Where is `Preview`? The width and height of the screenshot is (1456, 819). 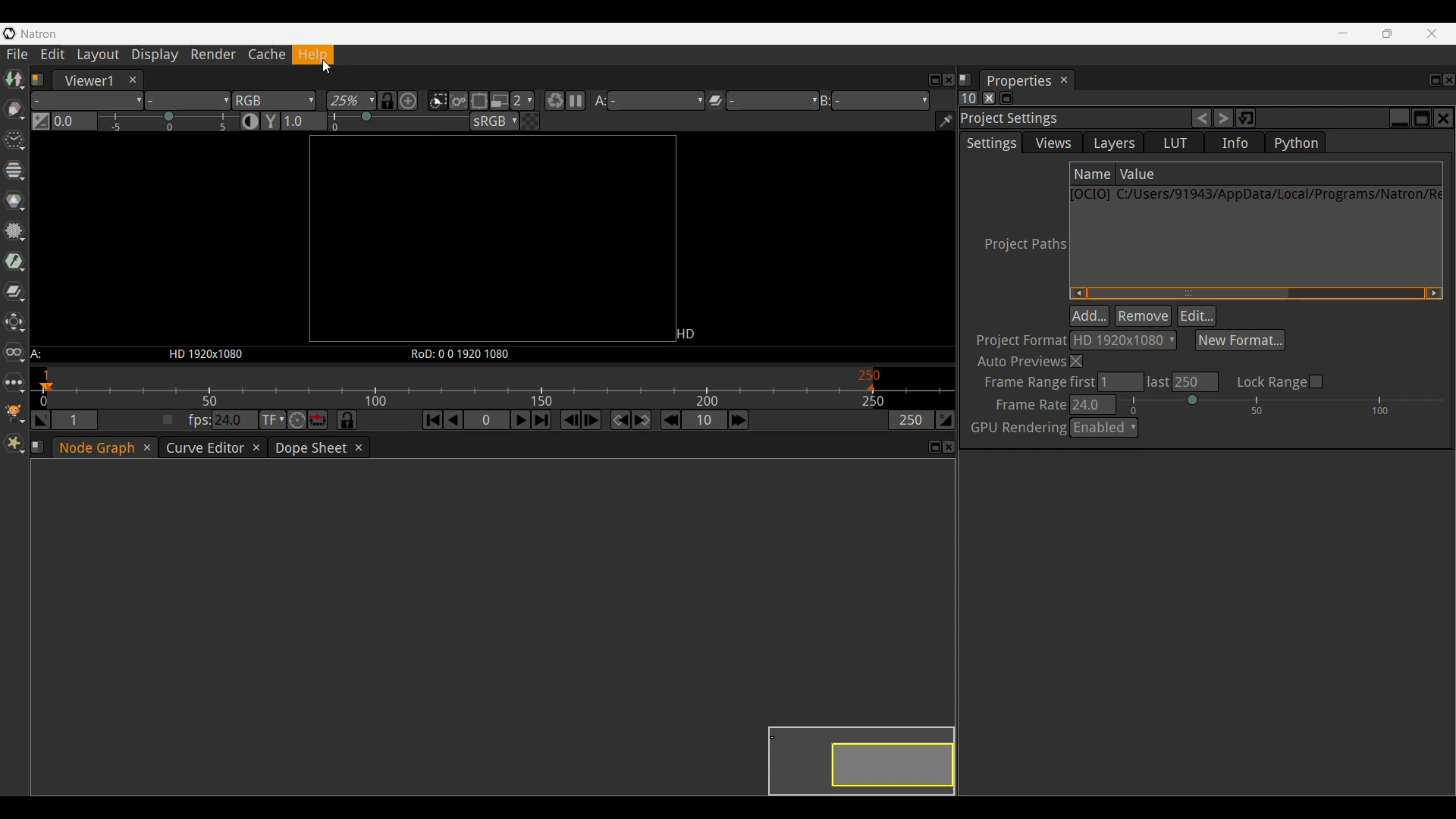
Preview is located at coordinates (843, 750).